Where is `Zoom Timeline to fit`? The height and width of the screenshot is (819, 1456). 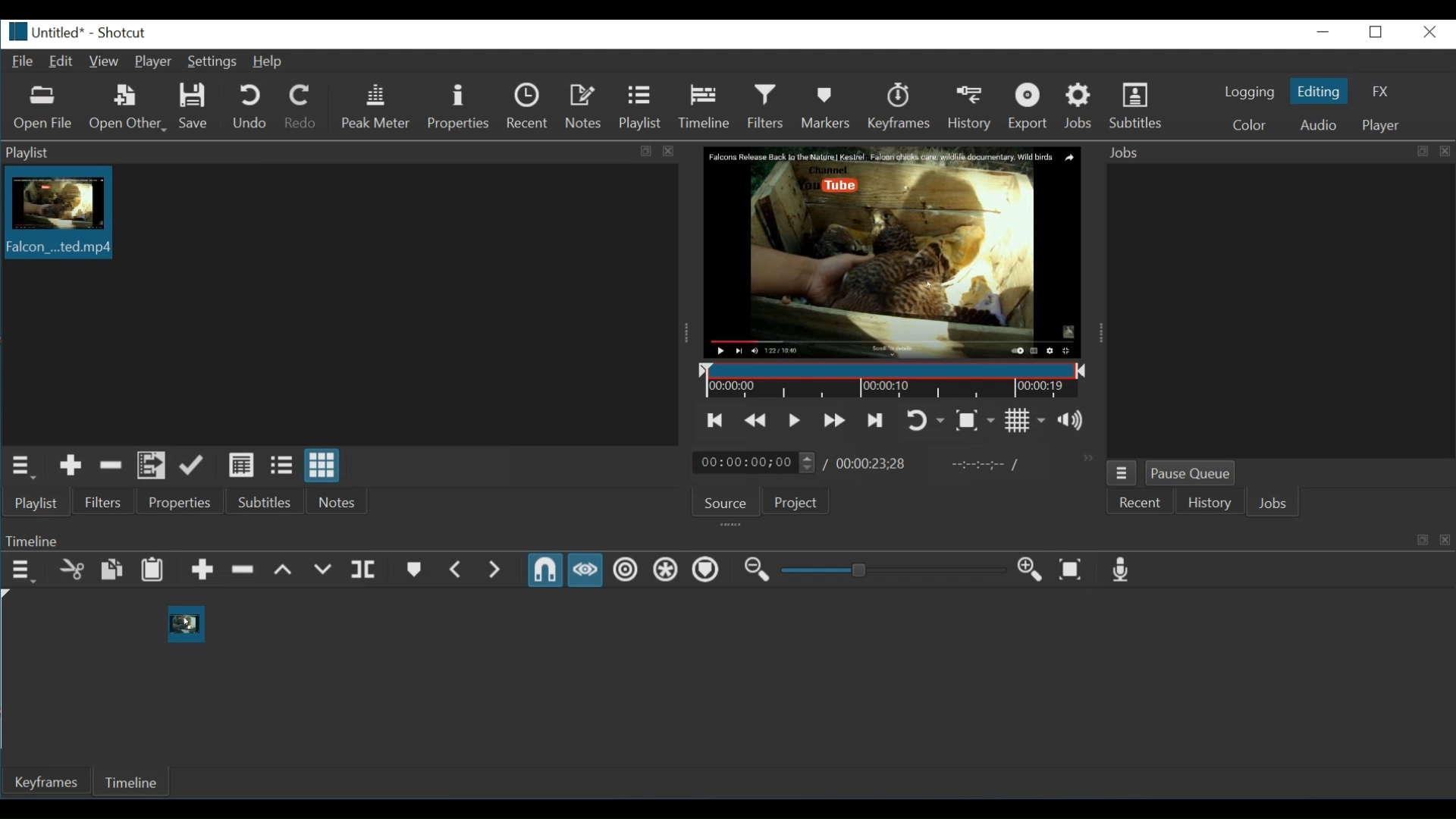
Zoom Timeline to fit is located at coordinates (1071, 569).